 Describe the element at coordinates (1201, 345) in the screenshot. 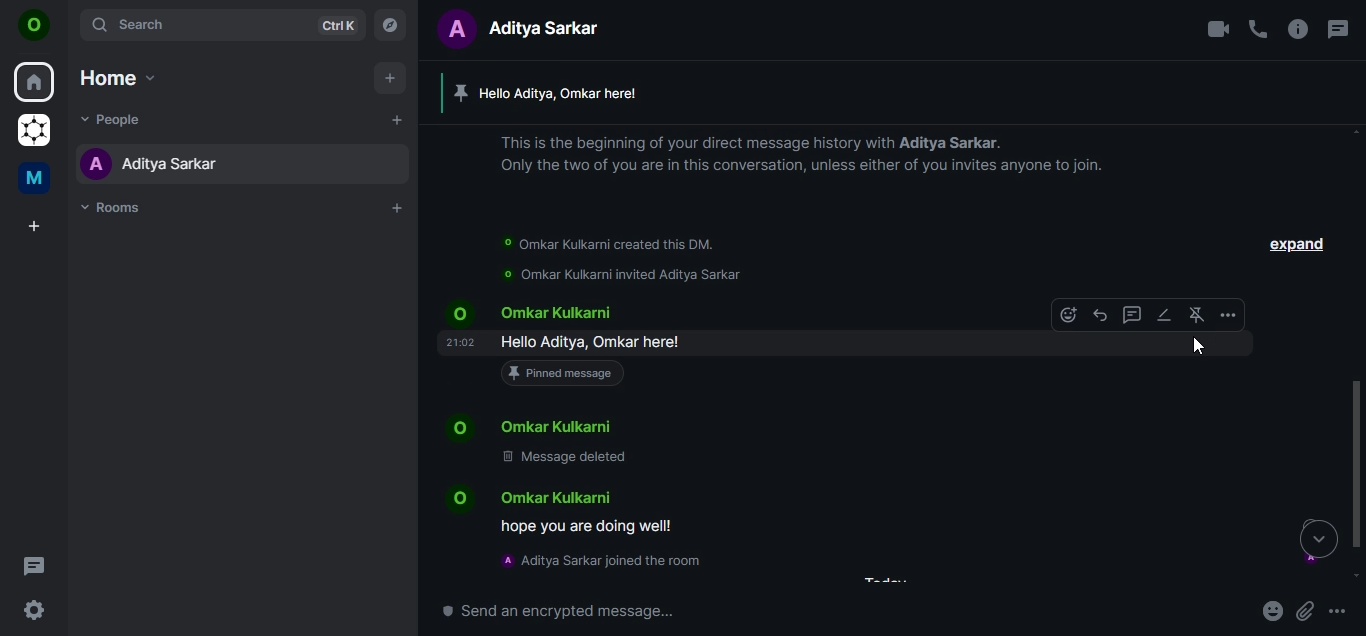

I see `cursor` at that location.